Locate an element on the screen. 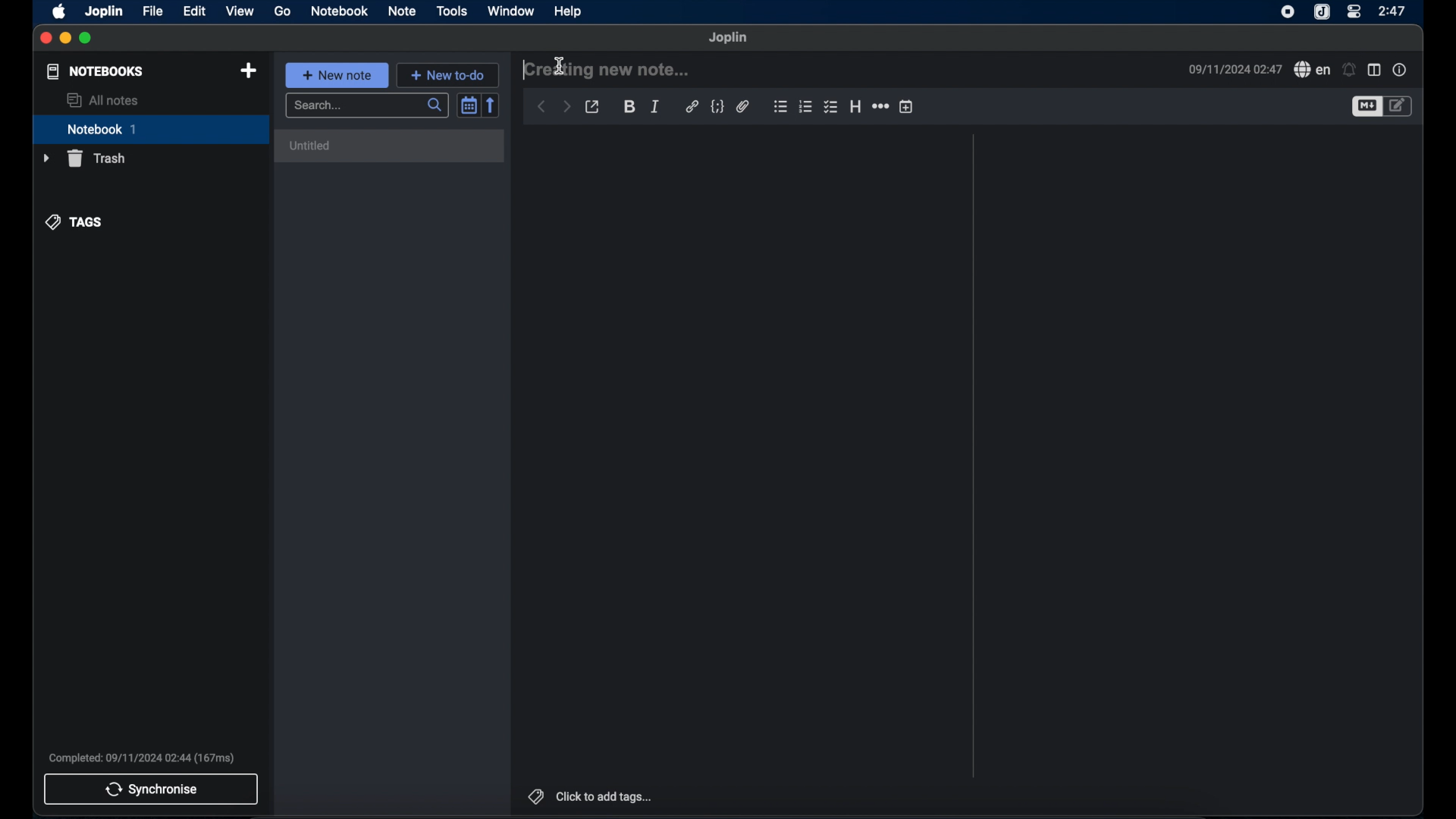 Image resolution: width=1456 pixels, height=819 pixels. set alarm is located at coordinates (1348, 70).